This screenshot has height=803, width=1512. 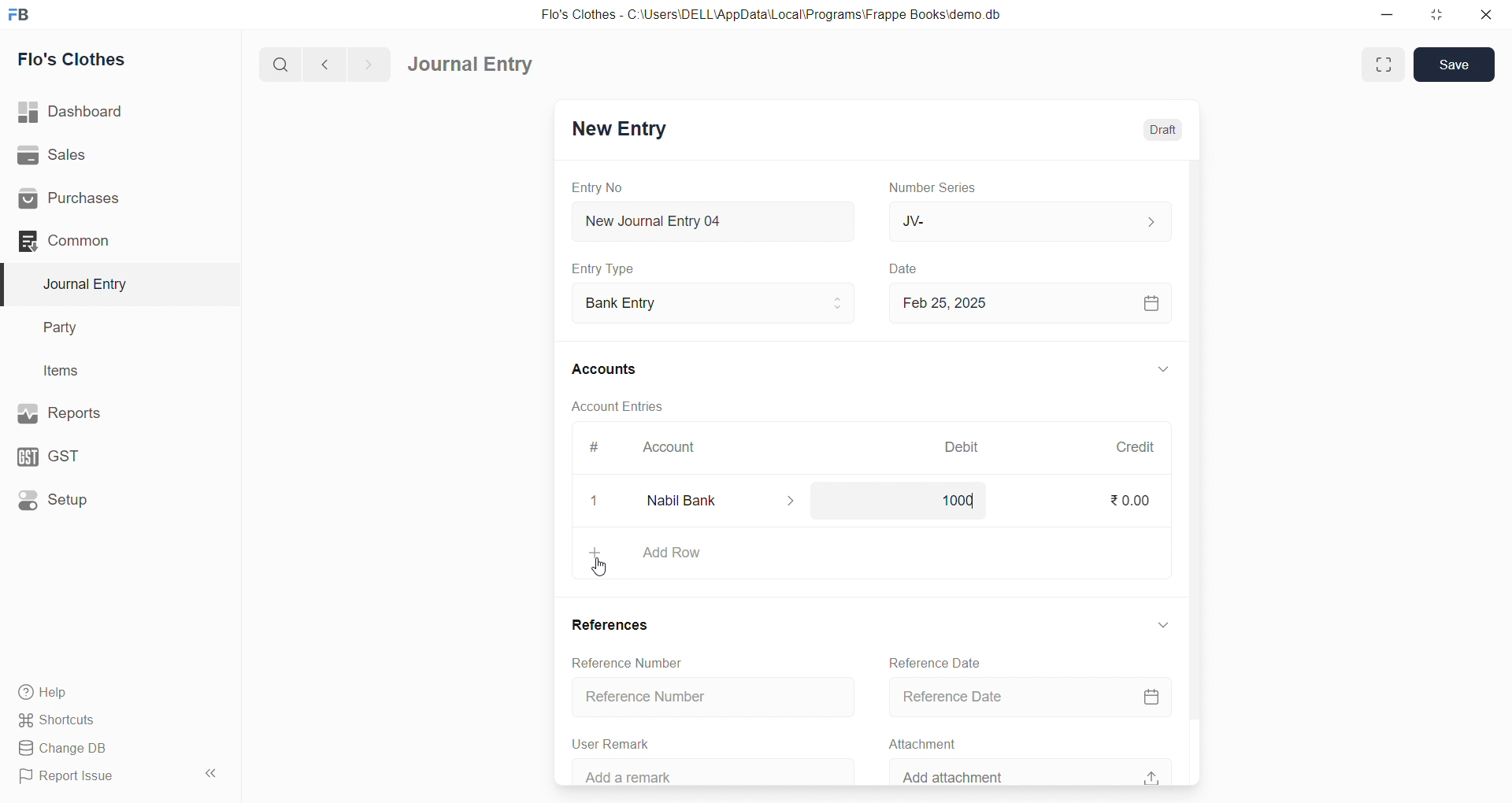 What do you see at coordinates (865, 553) in the screenshot?
I see `Add Row ` at bounding box center [865, 553].